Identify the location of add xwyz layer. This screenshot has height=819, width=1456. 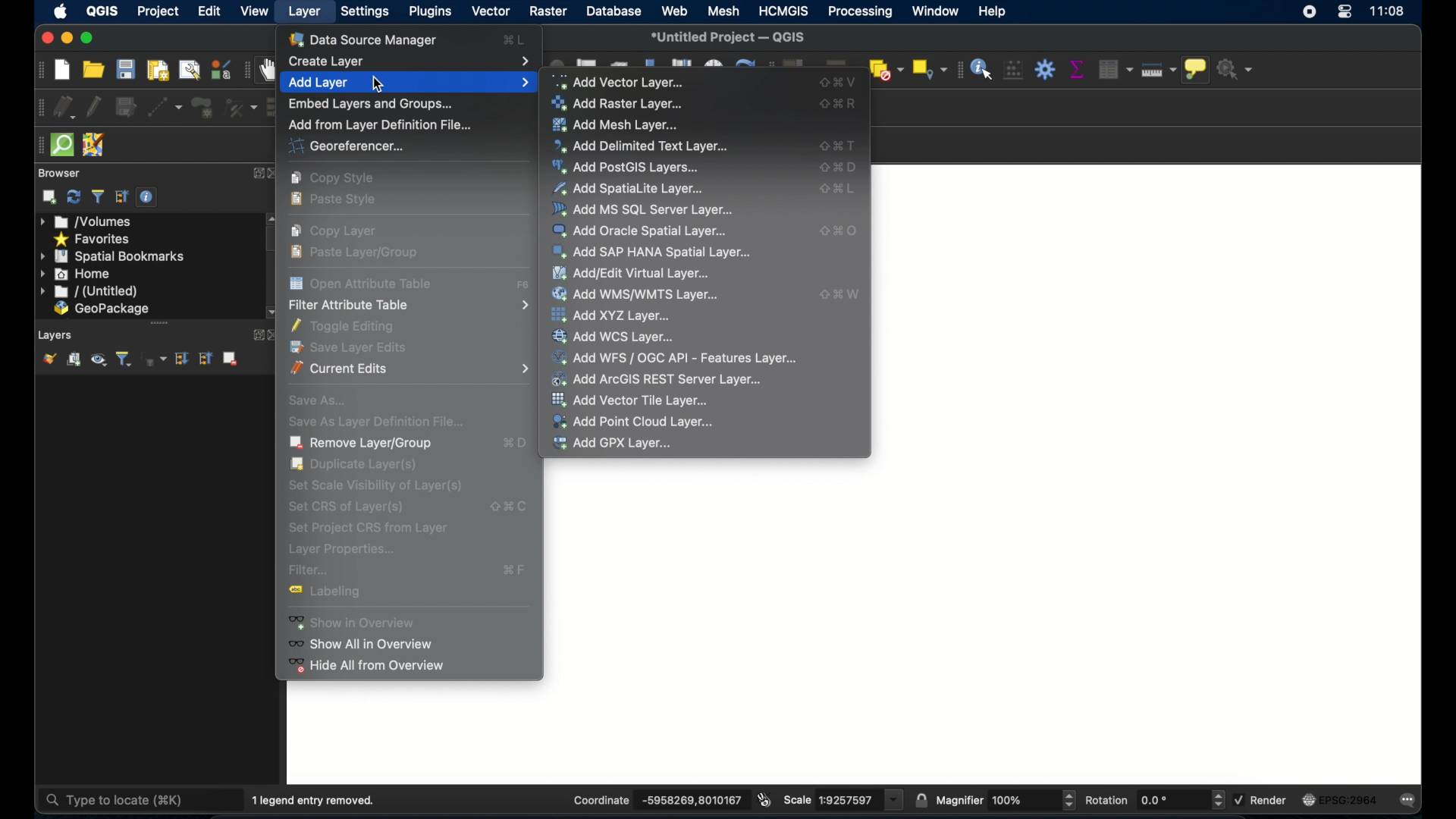
(613, 315).